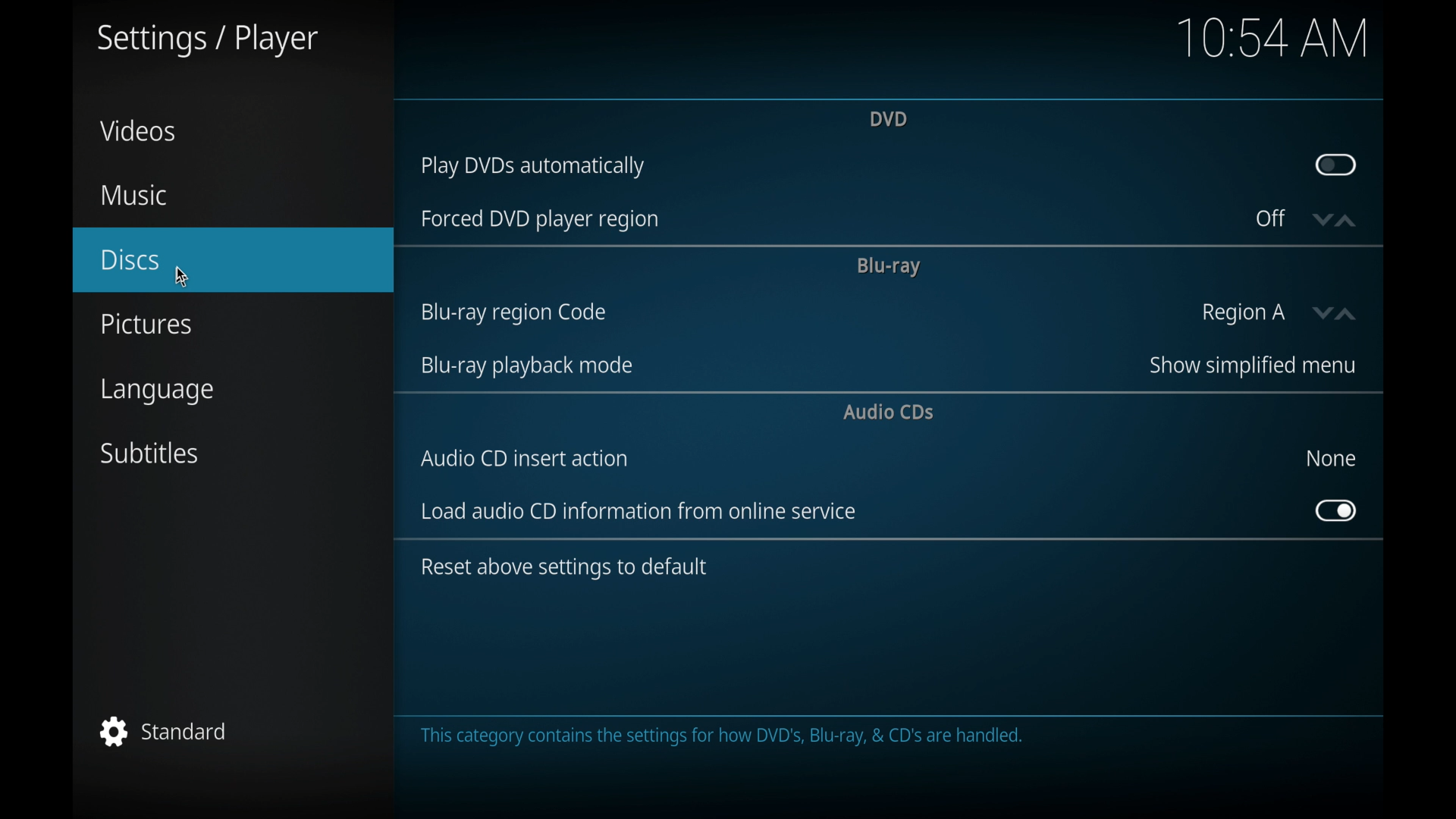 Image resolution: width=1456 pixels, height=819 pixels. Describe the element at coordinates (1271, 218) in the screenshot. I see `off` at that location.